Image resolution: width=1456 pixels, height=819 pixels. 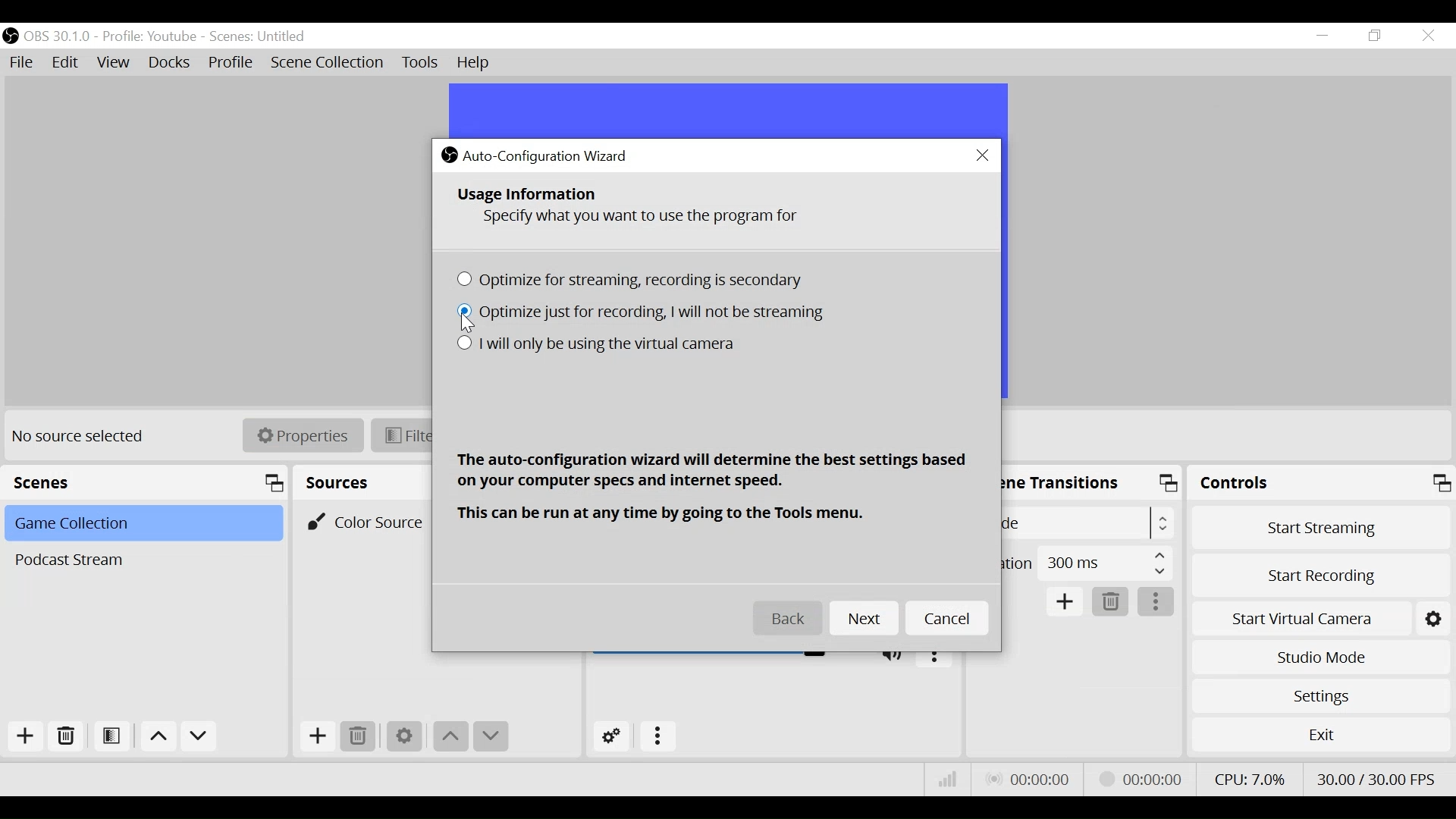 What do you see at coordinates (789, 620) in the screenshot?
I see `Back` at bounding box center [789, 620].